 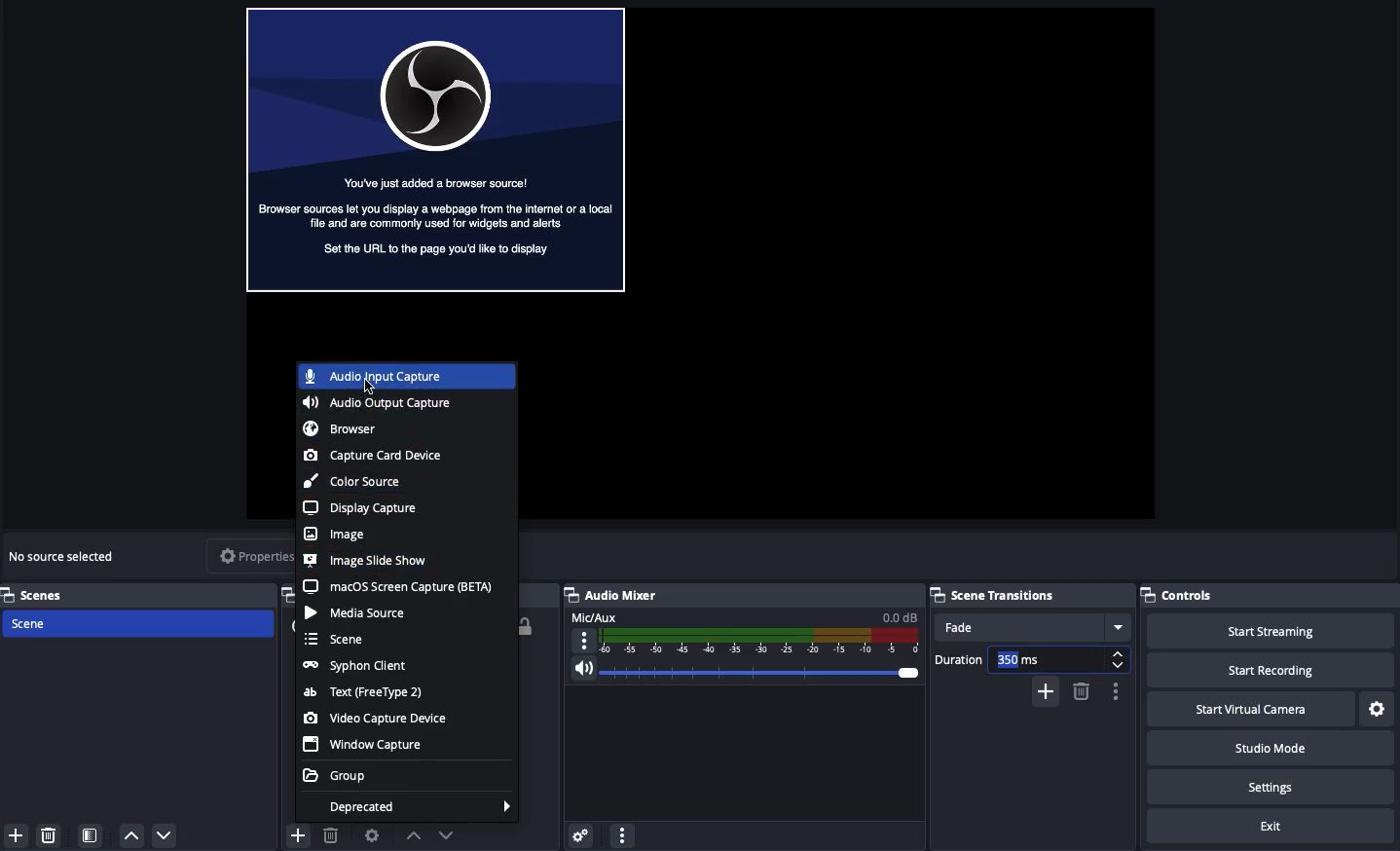 What do you see at coordinates (401, 585) in the screenshot?
I see `macOS` at bounding box center [401, 585].